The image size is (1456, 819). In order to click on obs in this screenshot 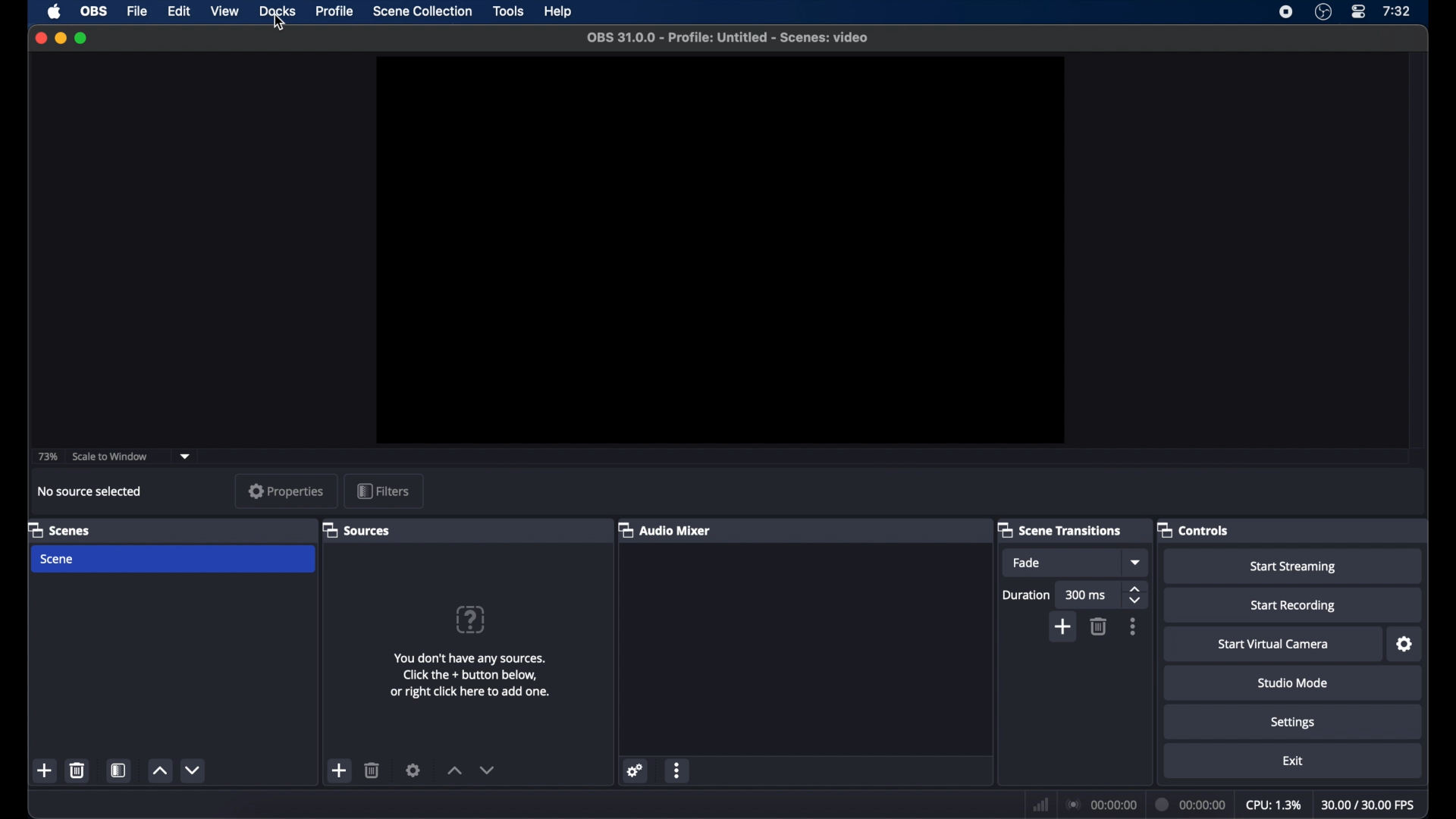, I will do `click(94, 11)`.